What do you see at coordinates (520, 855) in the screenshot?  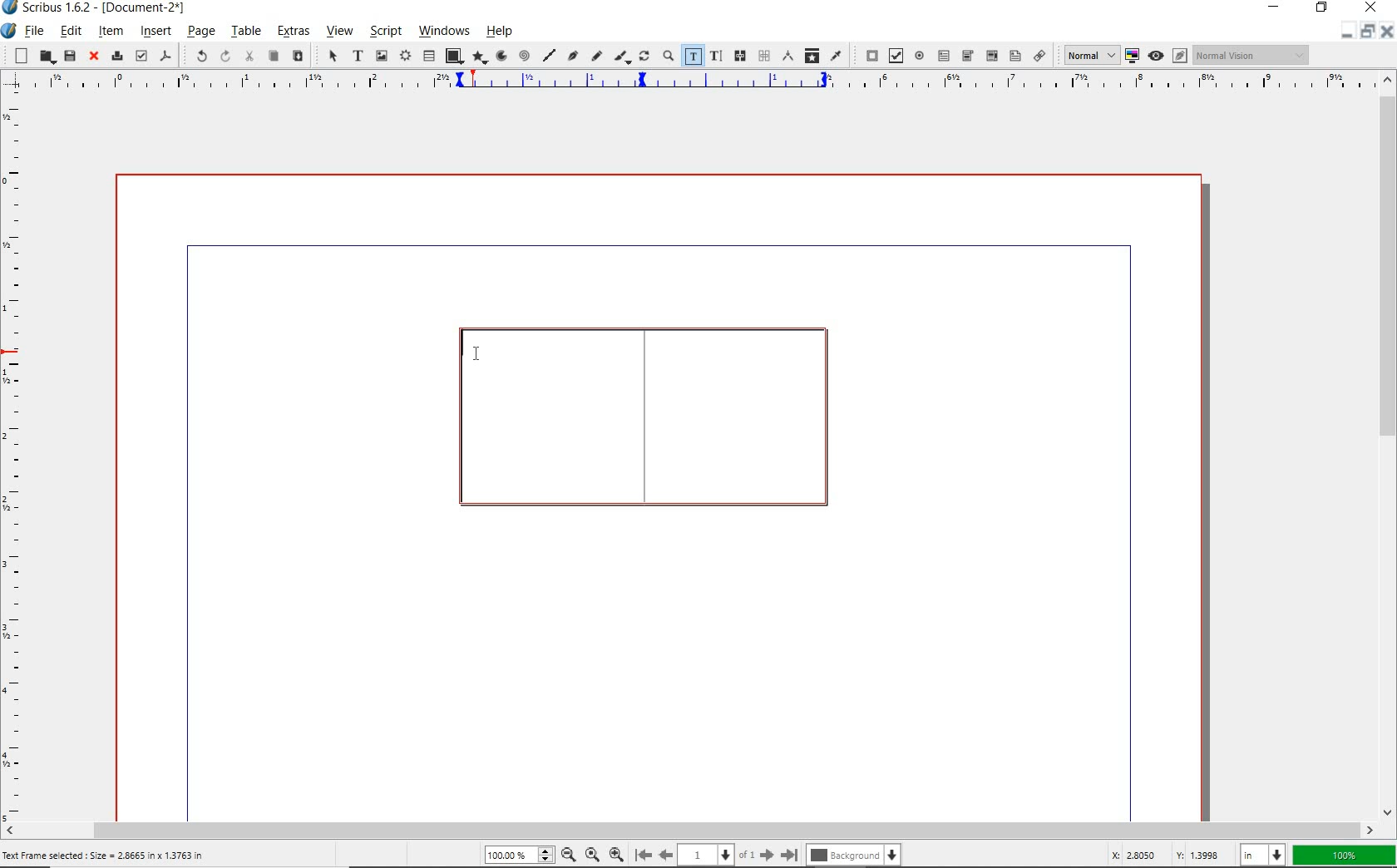 I see `zoom level` at bounding box center [520, 855].